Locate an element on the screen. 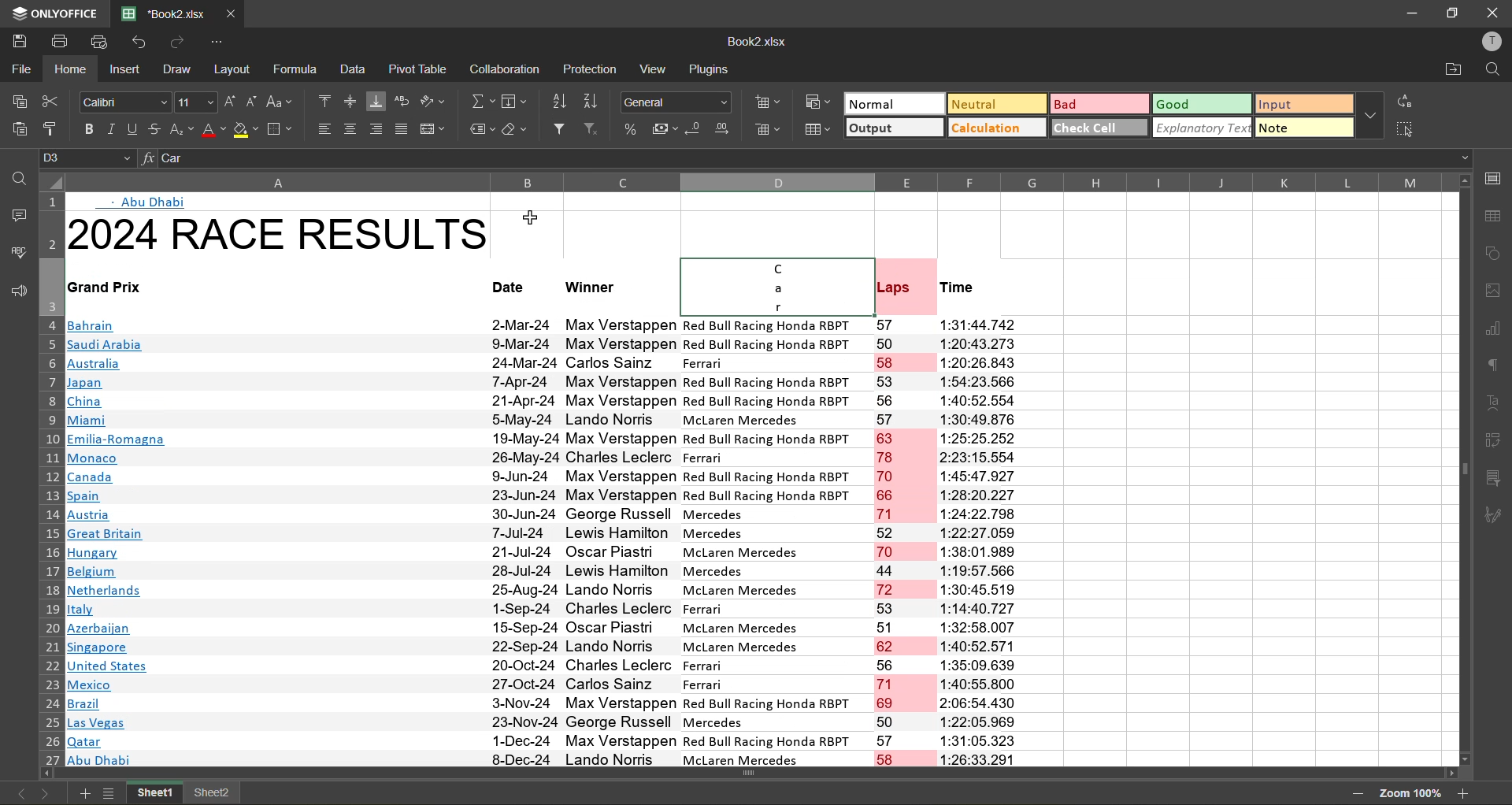 The image size is (1512, 805). find is located at coordinates (1495, 72).